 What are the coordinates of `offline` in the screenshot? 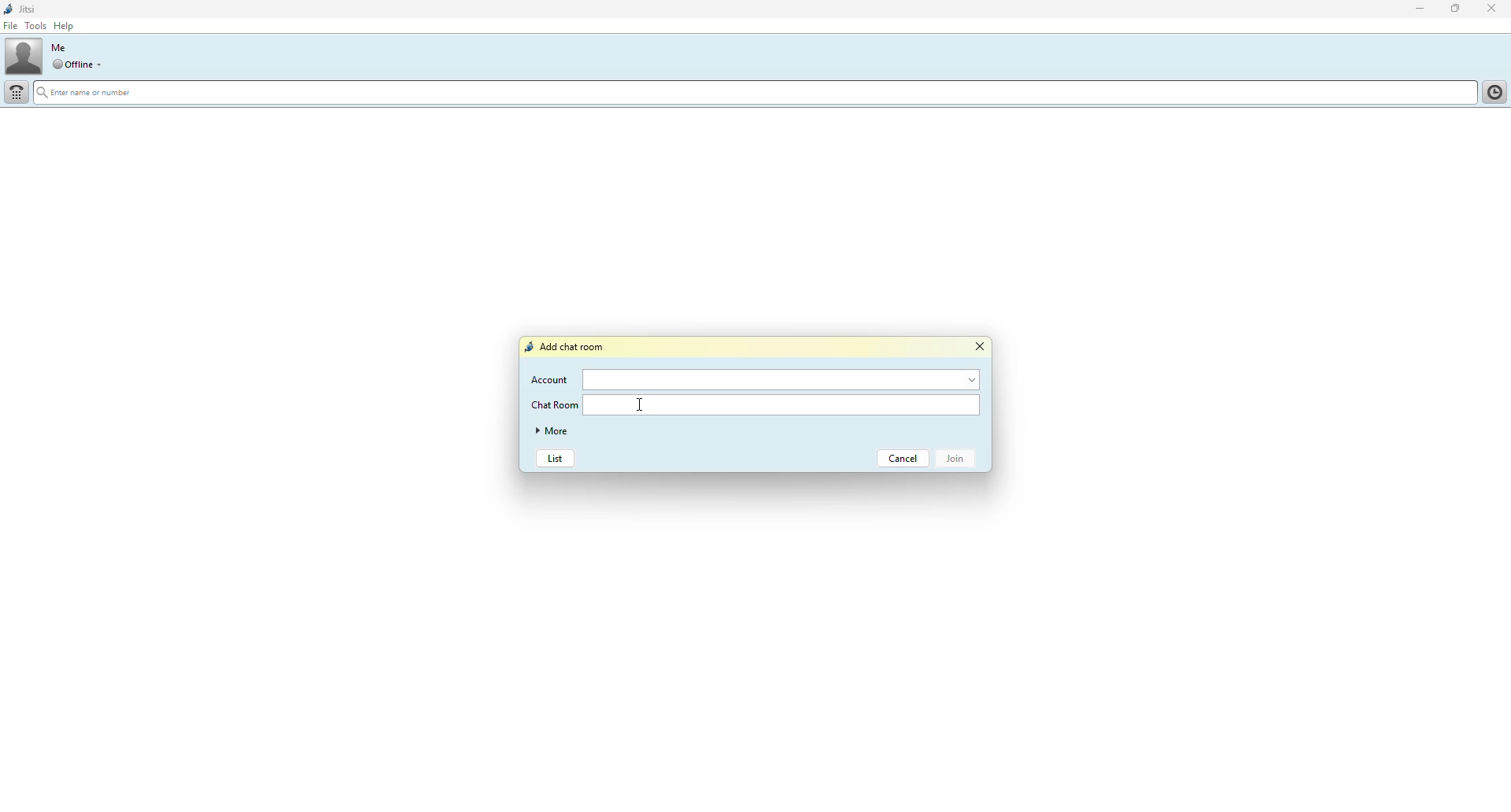 It's located at (71, 65).